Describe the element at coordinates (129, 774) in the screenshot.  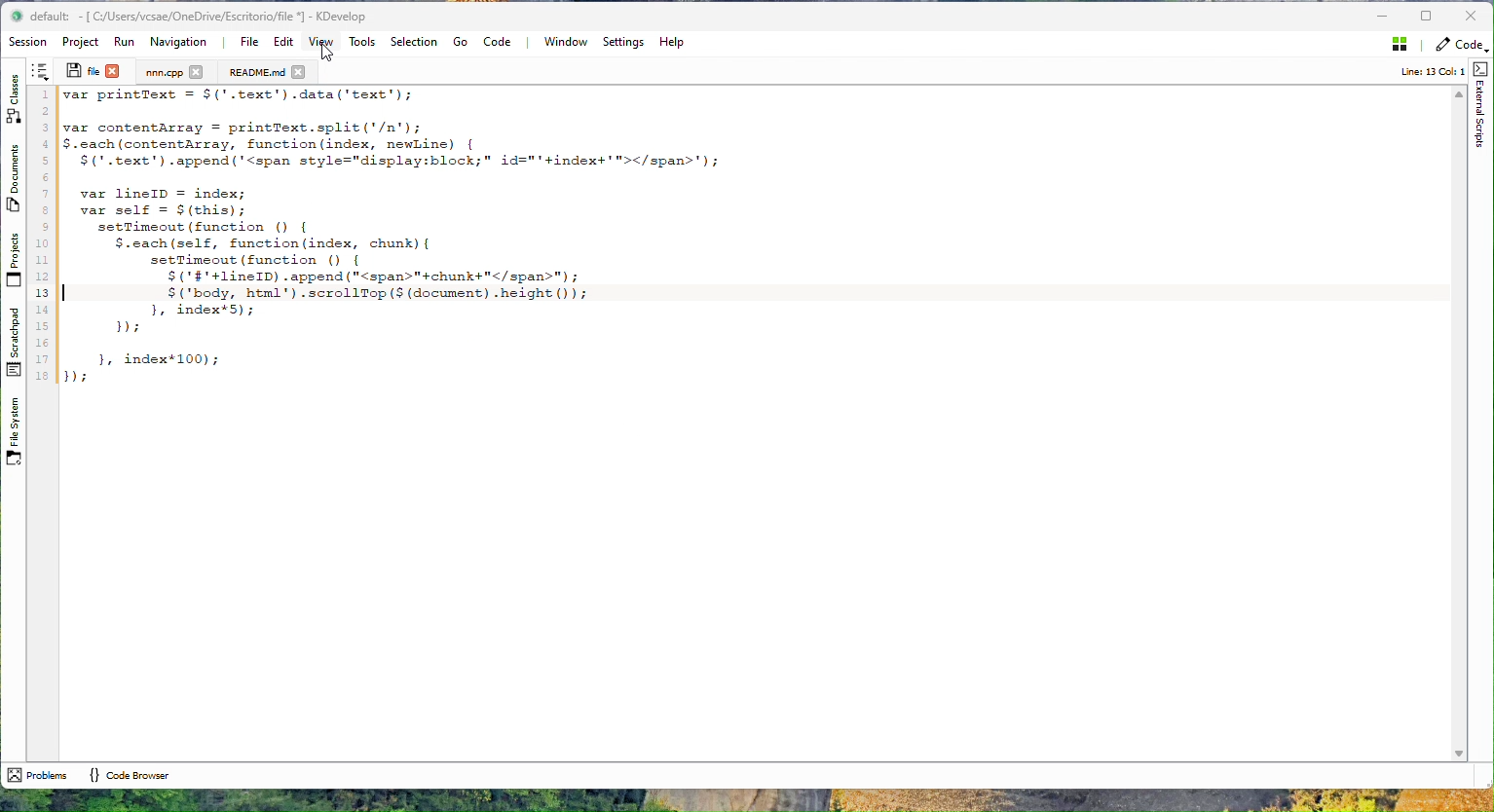
I see `code browser` at that location.